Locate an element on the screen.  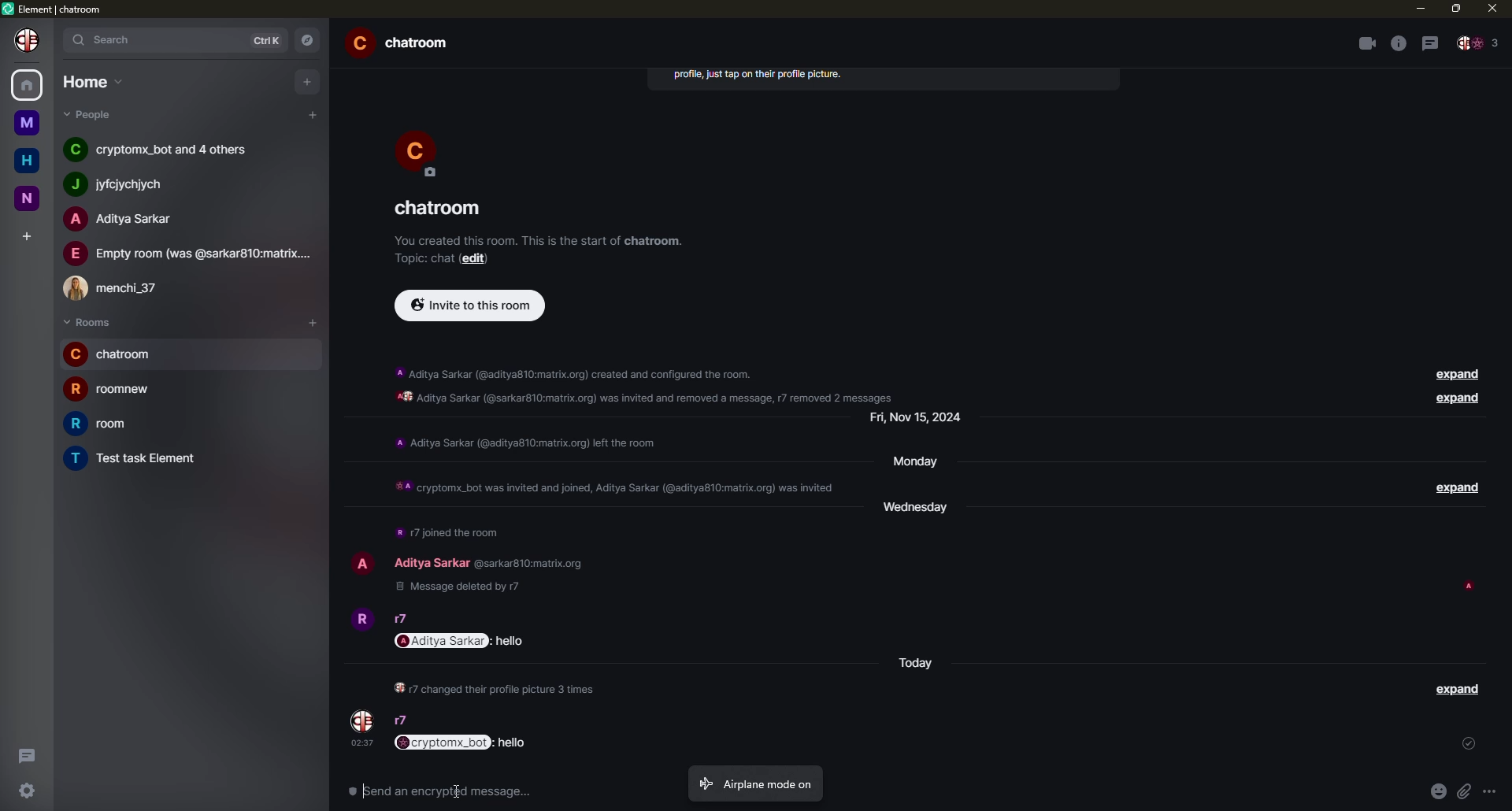
options is located at coordinates (1492, 796).